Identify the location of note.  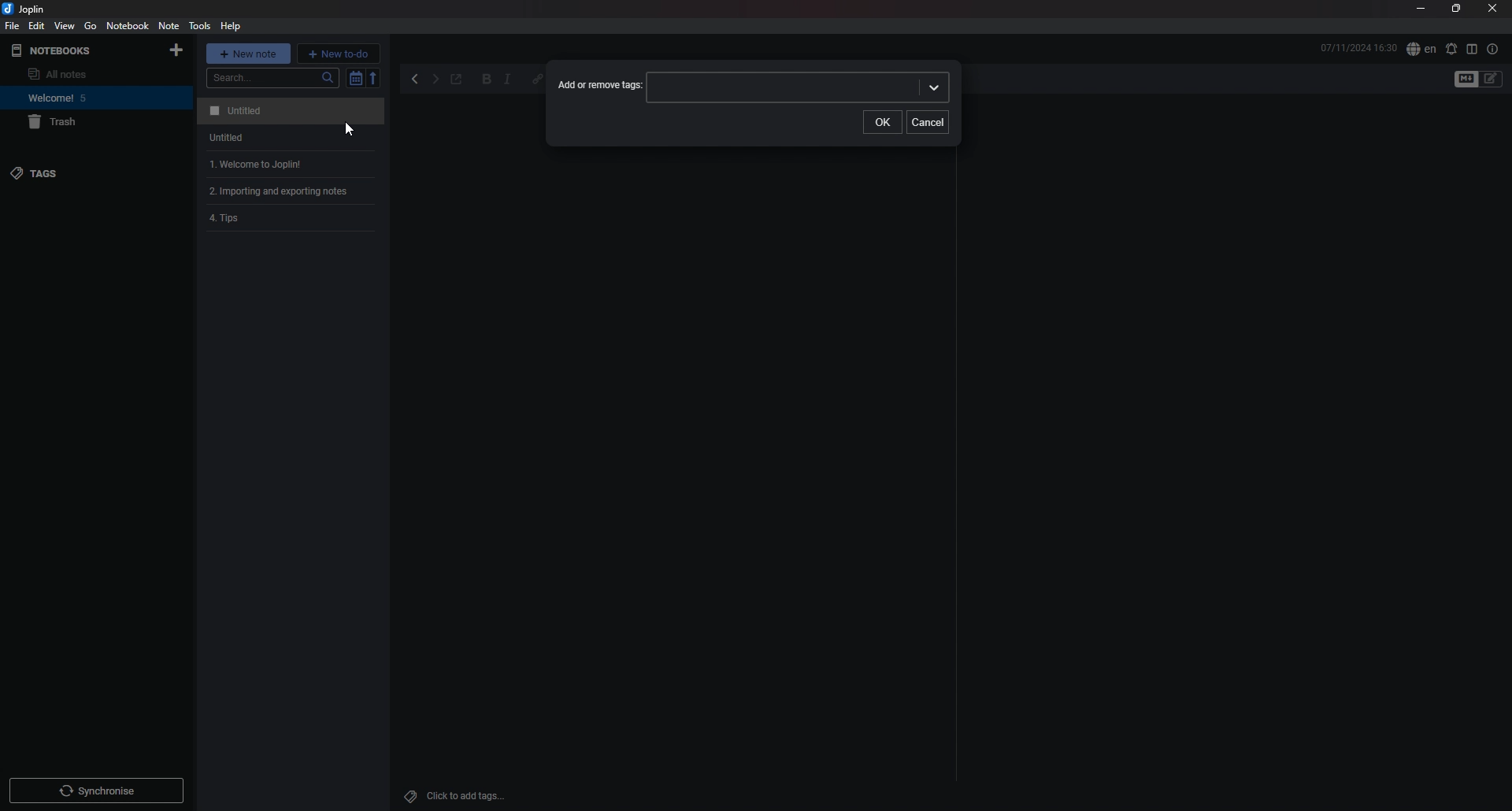
(169, 25).